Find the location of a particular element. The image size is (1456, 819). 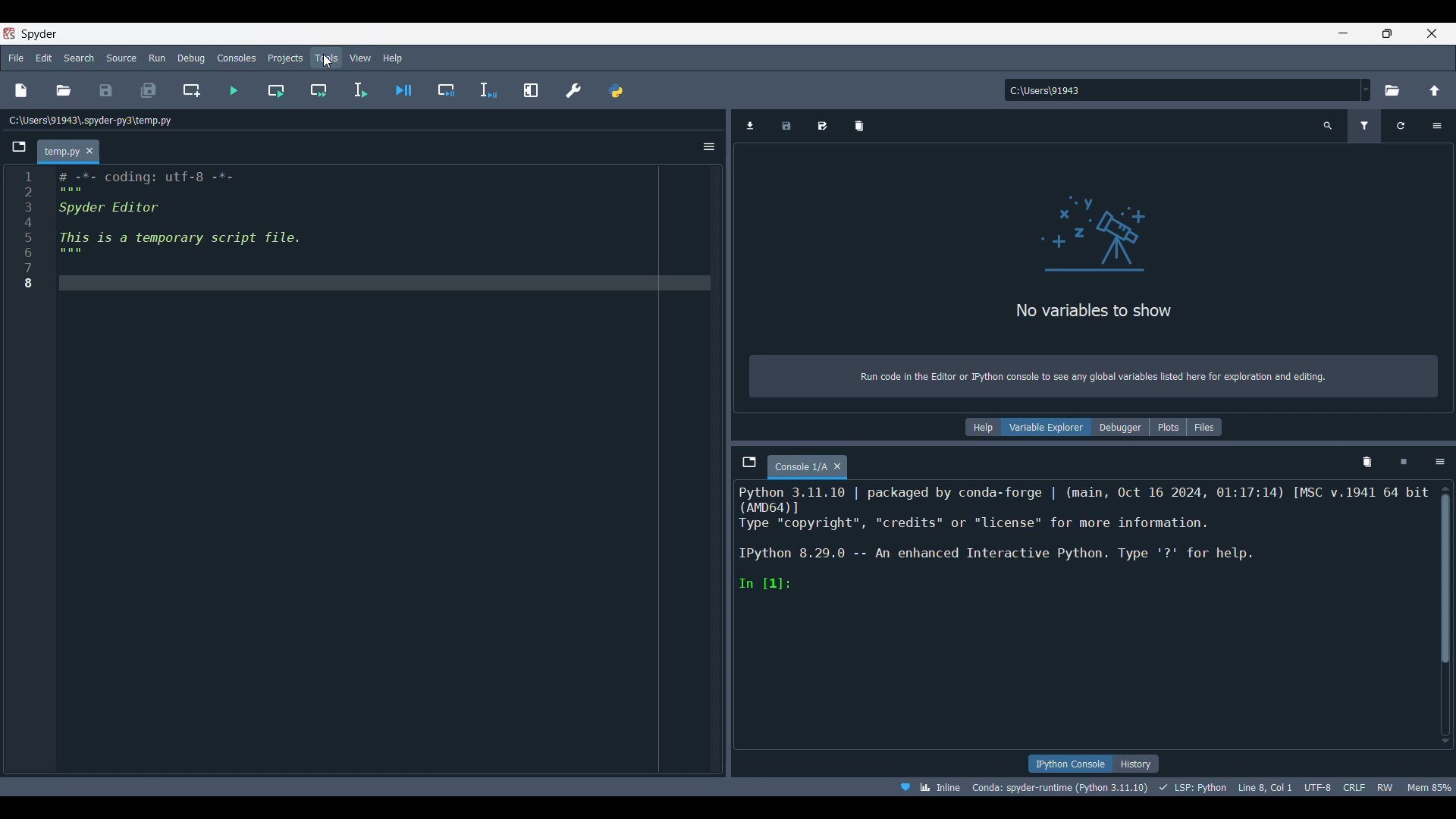

Refresh variables is located at coordinates (1401, 127).